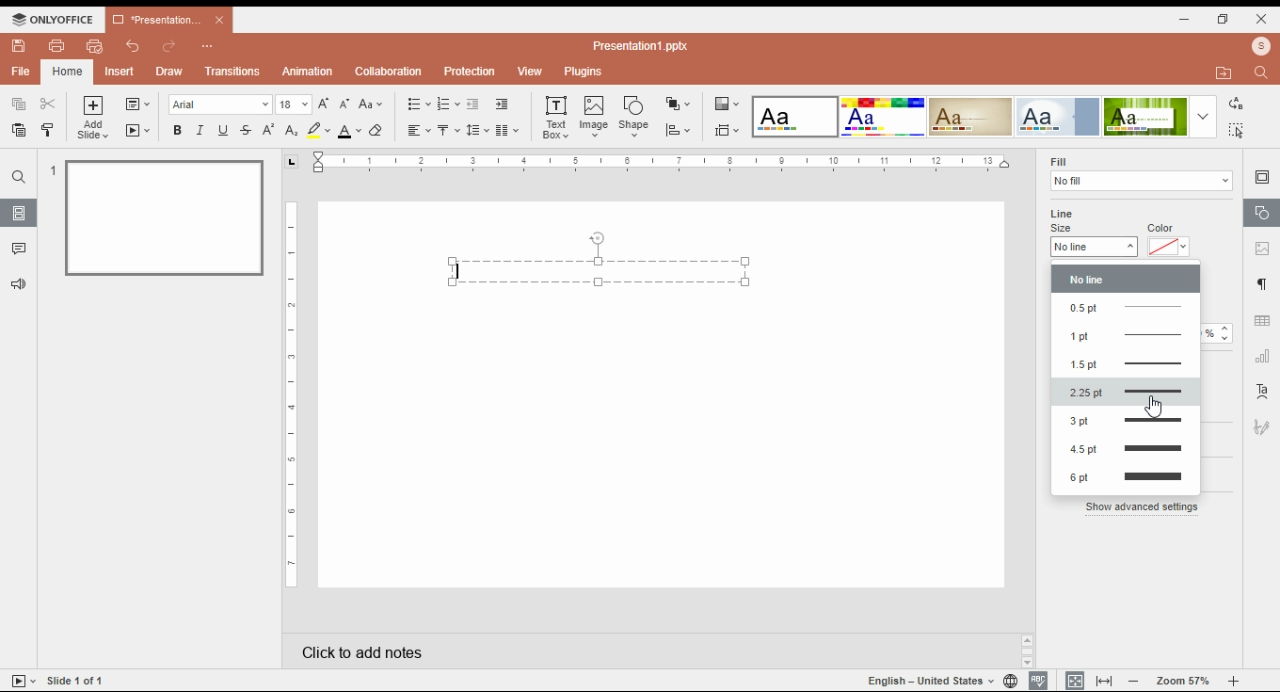 The height and width of the screenshot is (692, 1280). What do you see at coordinates (293, 104) in the screenshot?
I see `font size` at bounding box center [293, 104].